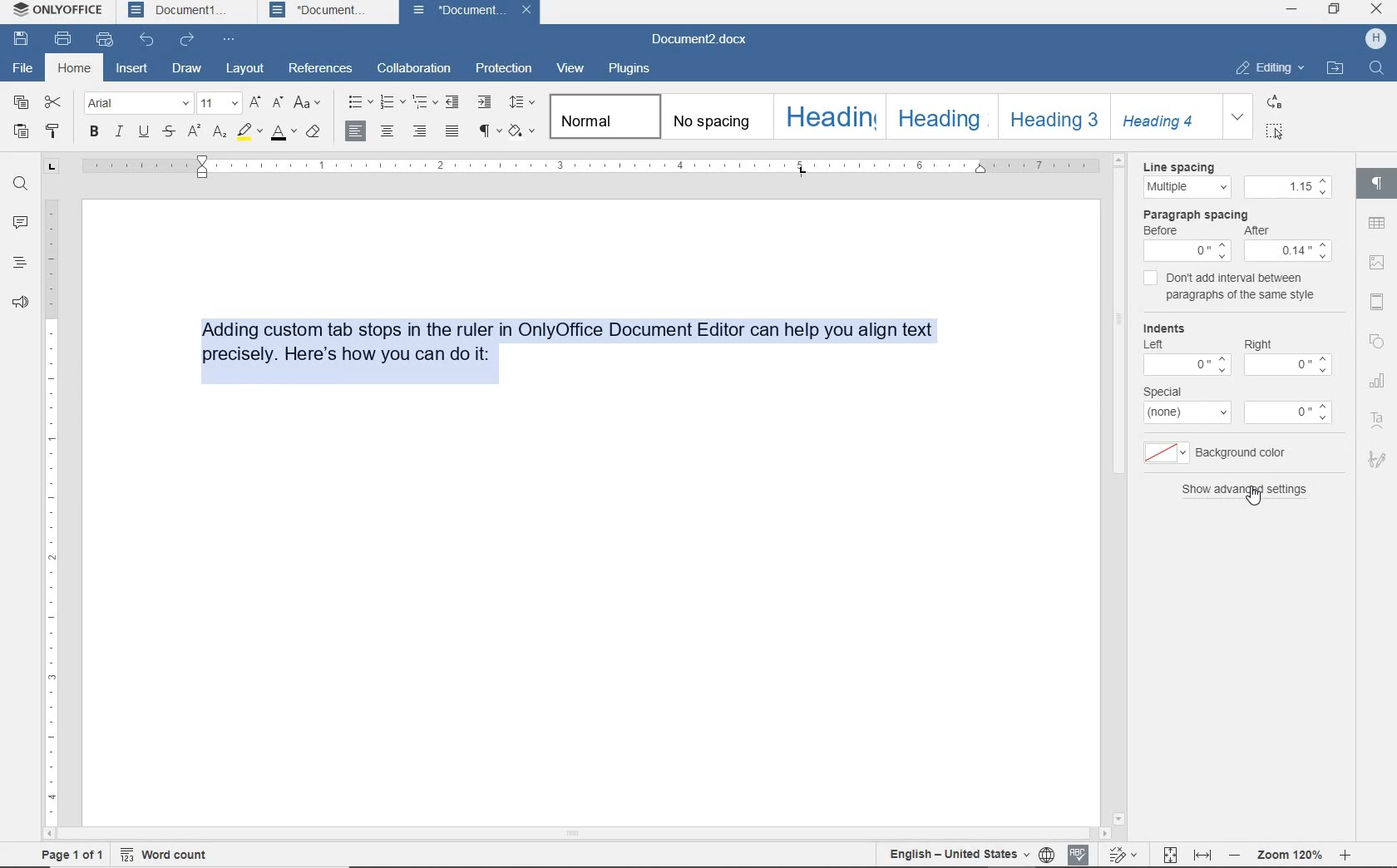  I want to click on Document1 tab, so click(180, 11).